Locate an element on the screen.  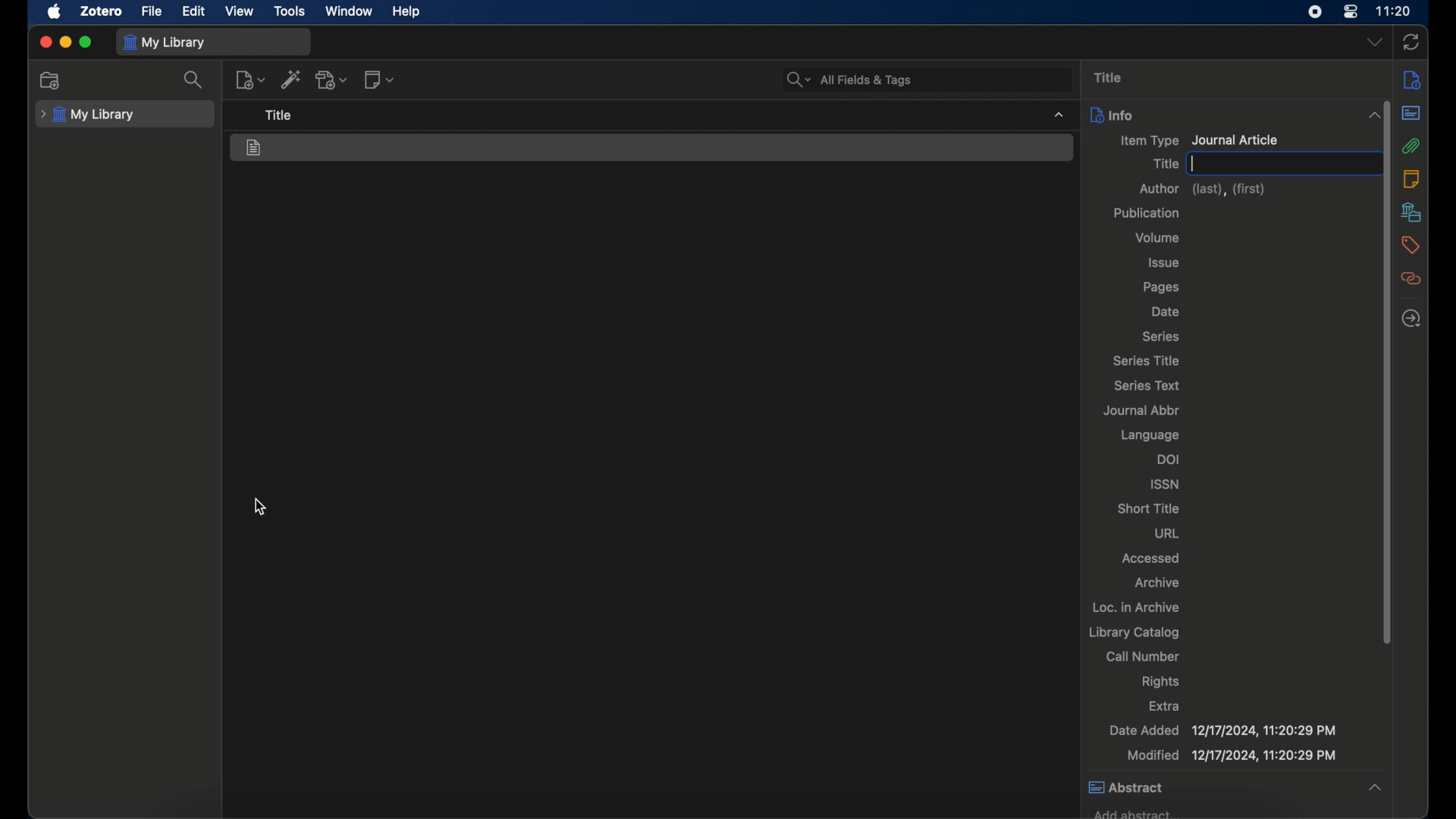
zotero is located at coordinates (102, 11).